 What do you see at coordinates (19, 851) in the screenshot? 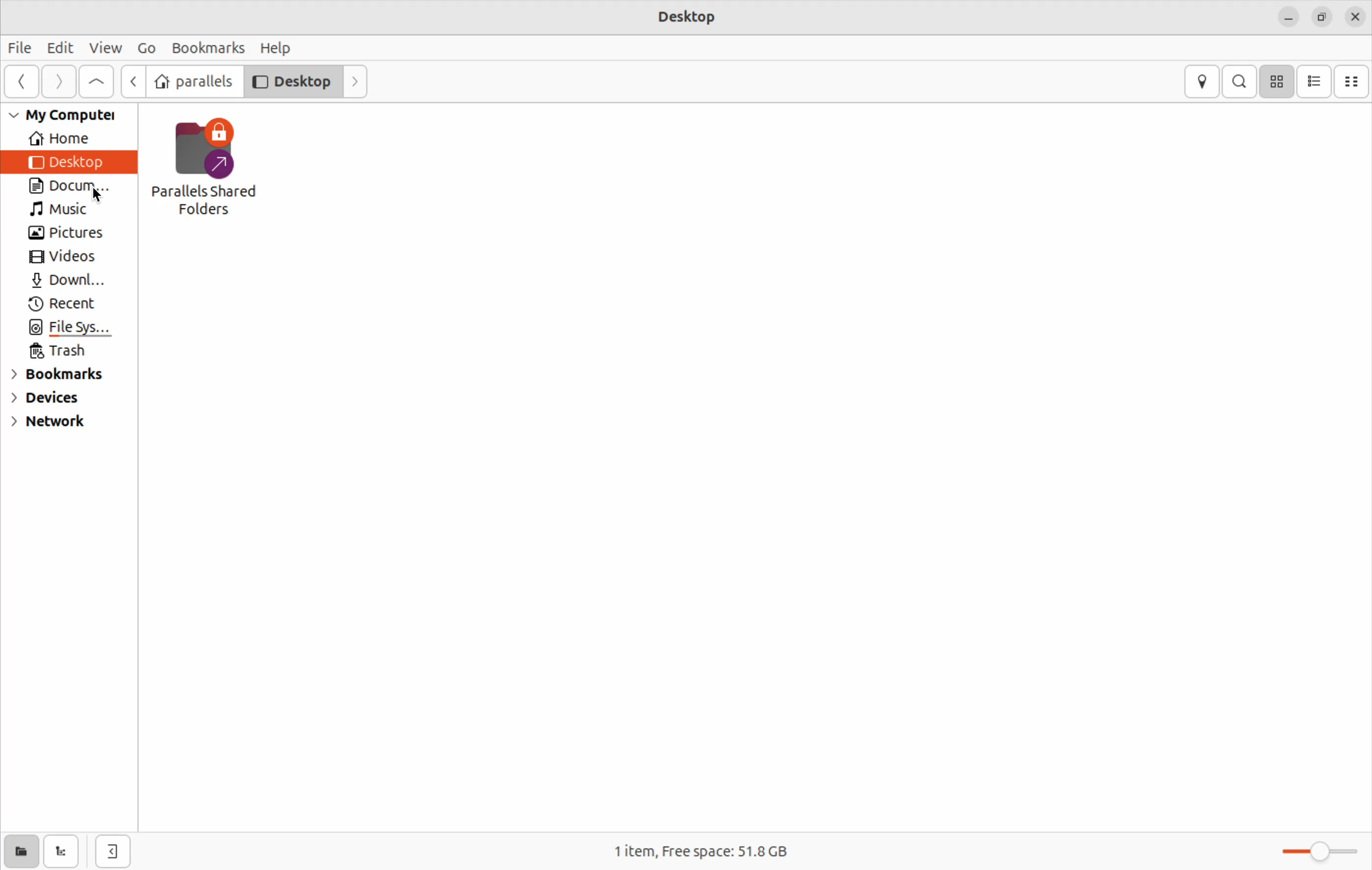
I see `show places` at bounding box center [19, 851].